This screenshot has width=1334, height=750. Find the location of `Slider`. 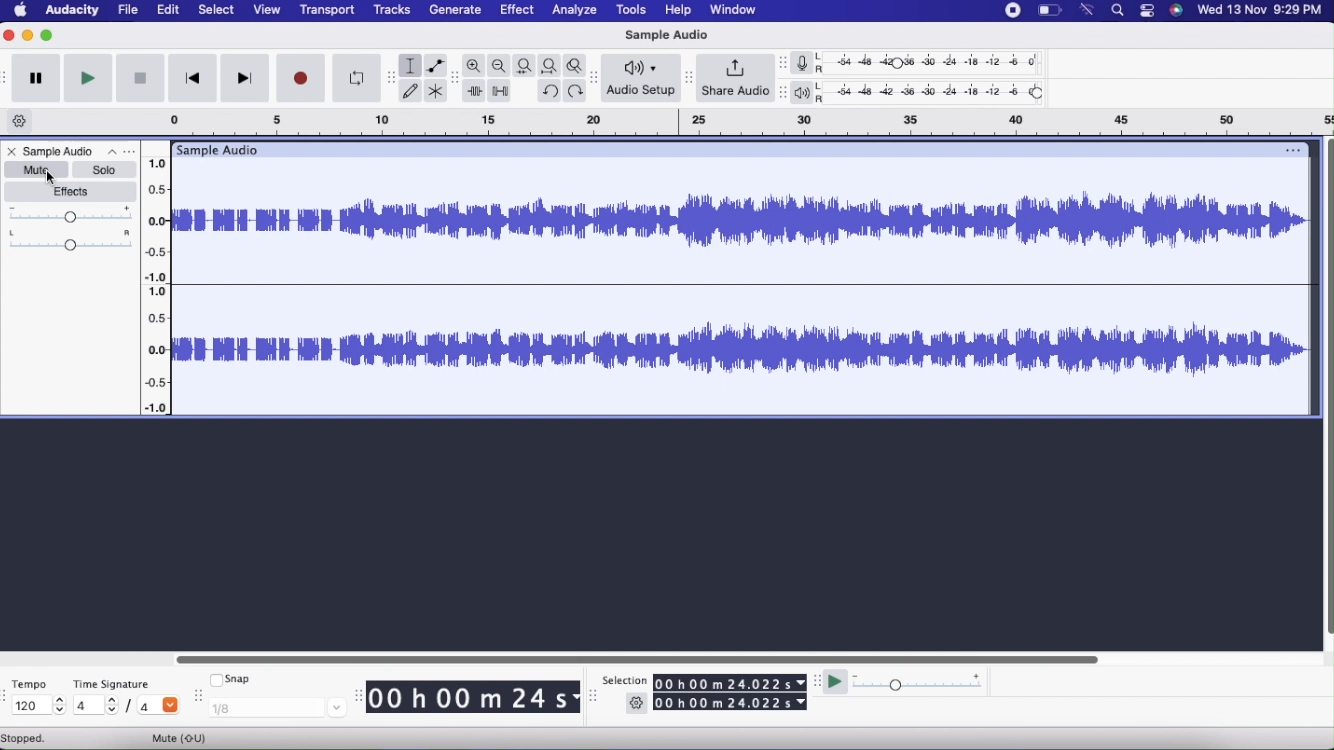

Slider is located at coordinates (156, 282).